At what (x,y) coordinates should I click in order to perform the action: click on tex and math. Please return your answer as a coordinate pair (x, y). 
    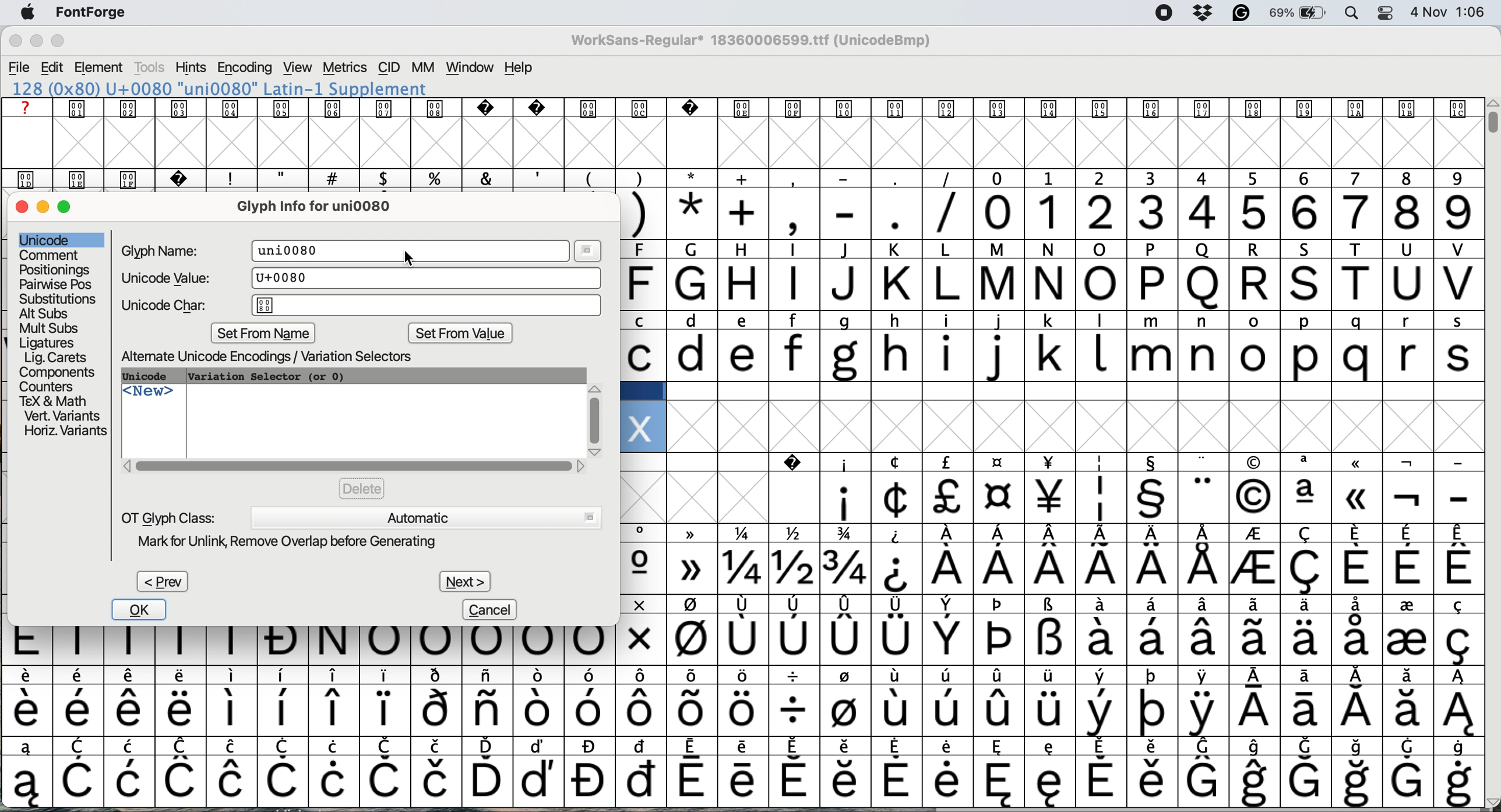
    Looking at the image, I should click on (52, 400).